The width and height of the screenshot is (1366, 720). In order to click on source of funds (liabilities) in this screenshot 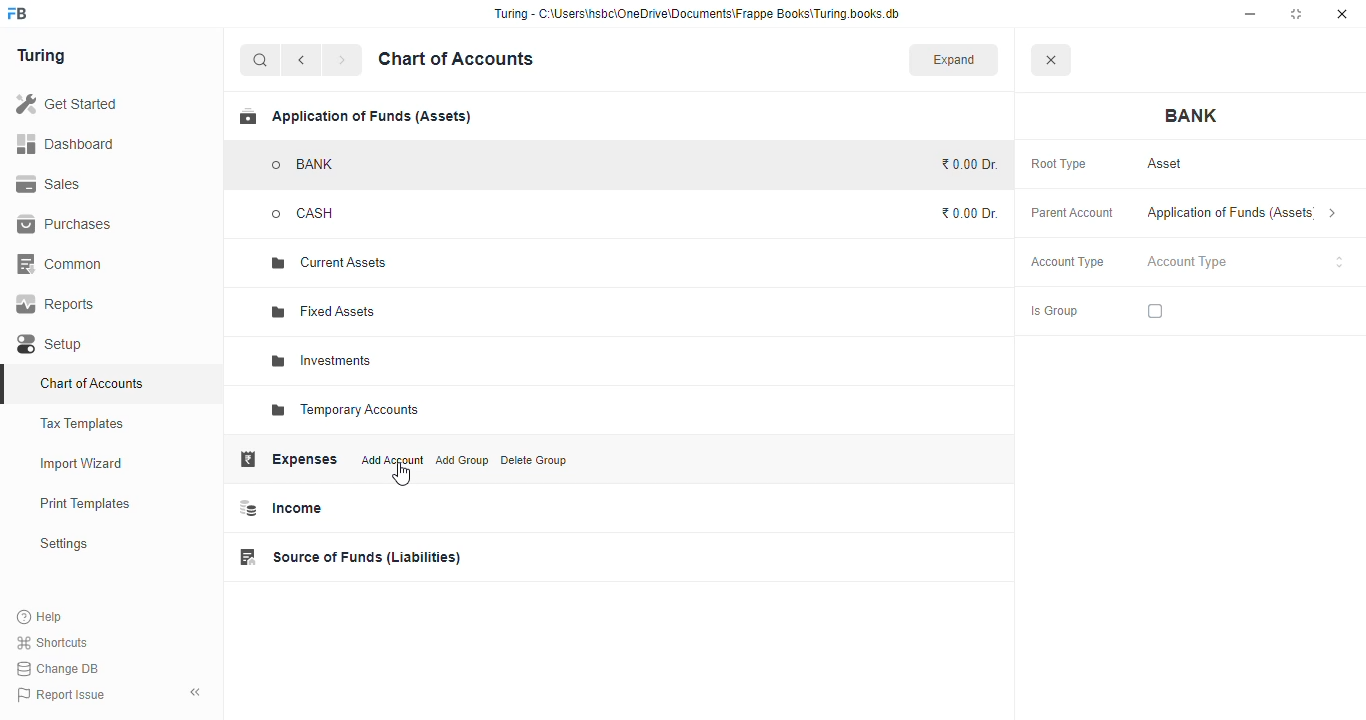, I will do `click(351, 557)`.